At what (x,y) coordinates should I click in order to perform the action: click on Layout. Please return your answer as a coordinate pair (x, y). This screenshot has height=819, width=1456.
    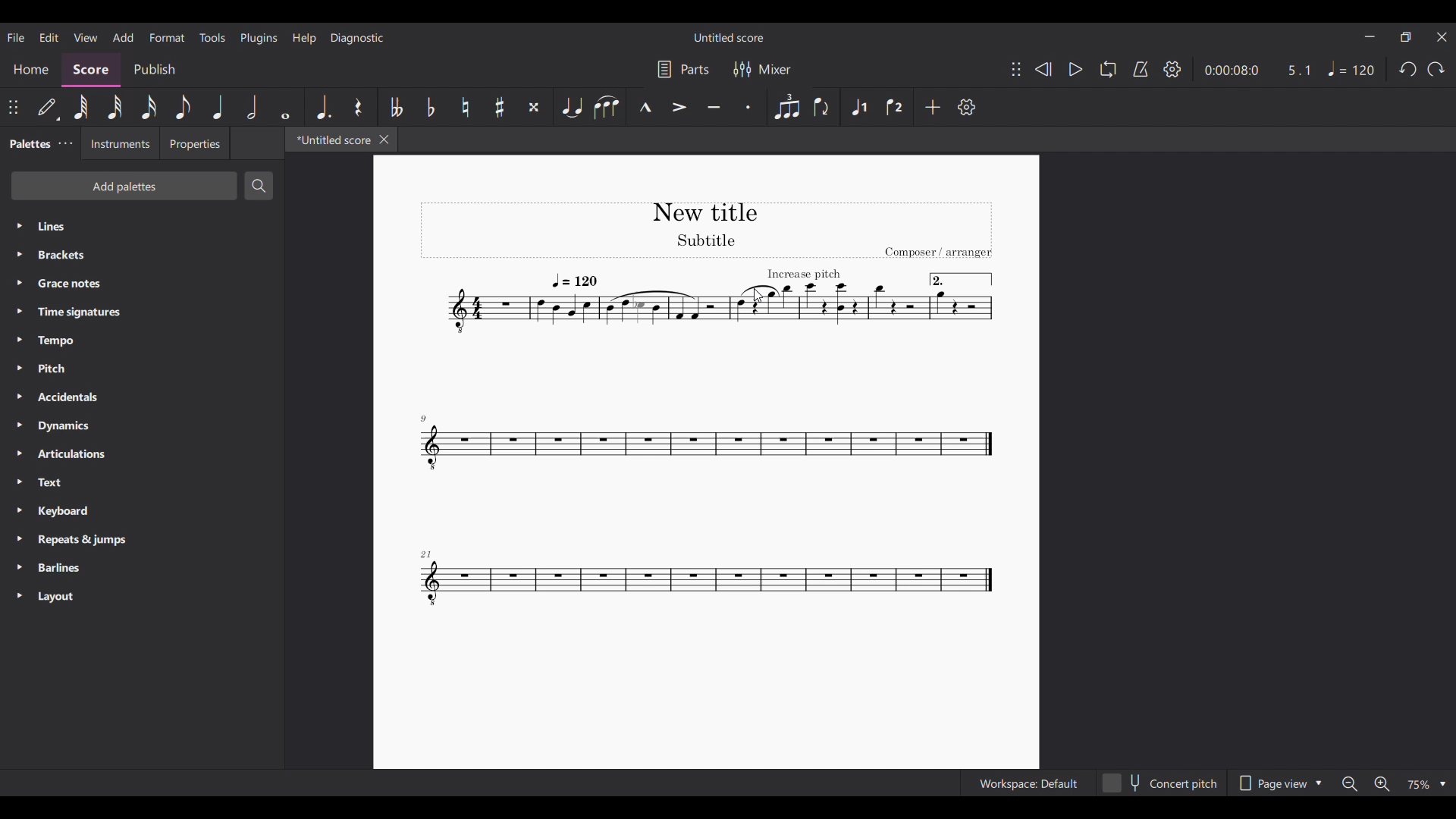
    Looking at the image, I should click on (142, 596).